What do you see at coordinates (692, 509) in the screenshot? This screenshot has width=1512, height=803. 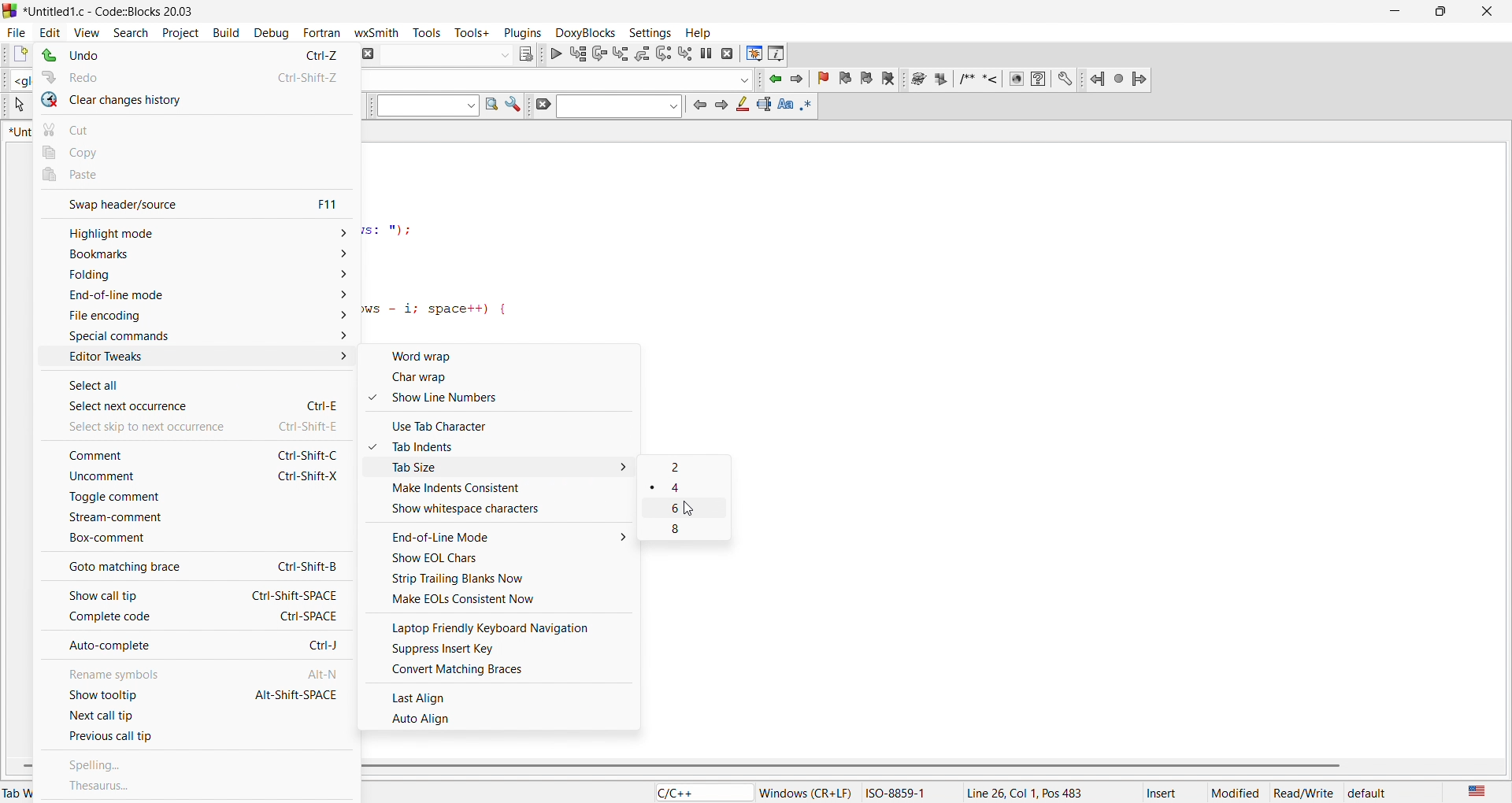 I see `cursor` at bounding box center [692, 509].